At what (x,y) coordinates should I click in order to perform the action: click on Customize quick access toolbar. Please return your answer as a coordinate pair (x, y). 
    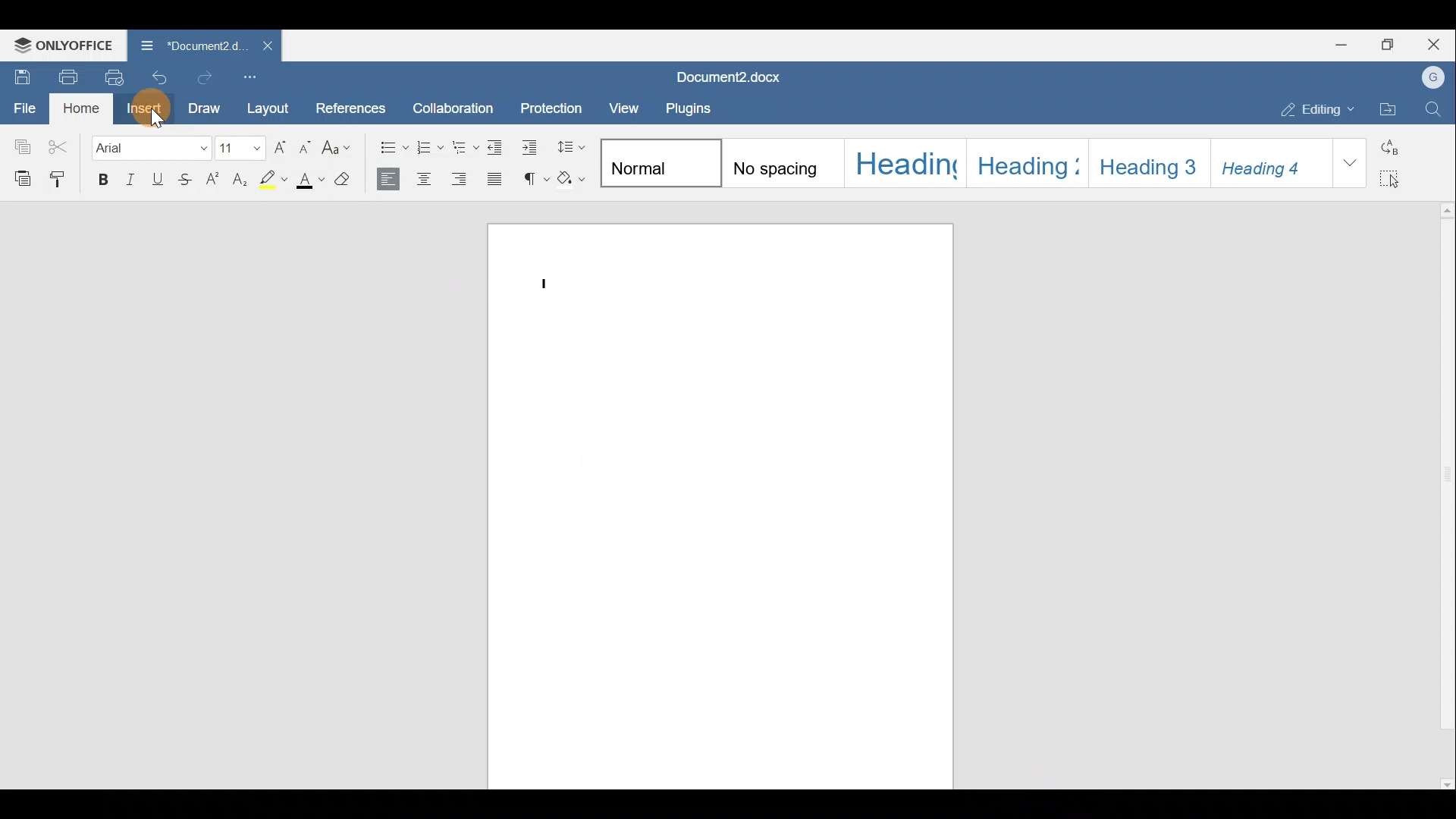
    Looking at the image, I should click on (256, 77).